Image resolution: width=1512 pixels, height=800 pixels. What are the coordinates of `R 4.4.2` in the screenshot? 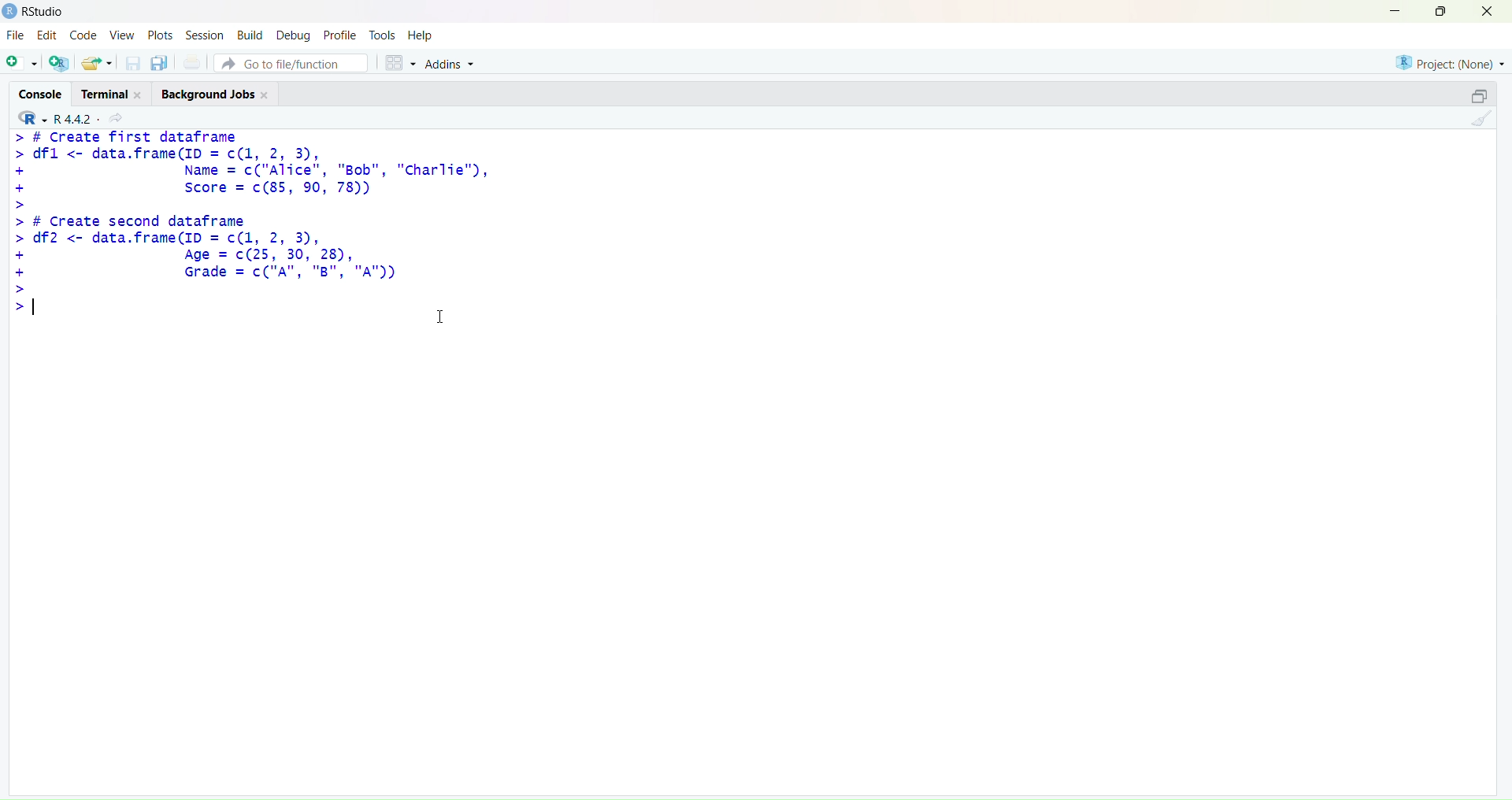 It's located at (54, 117).